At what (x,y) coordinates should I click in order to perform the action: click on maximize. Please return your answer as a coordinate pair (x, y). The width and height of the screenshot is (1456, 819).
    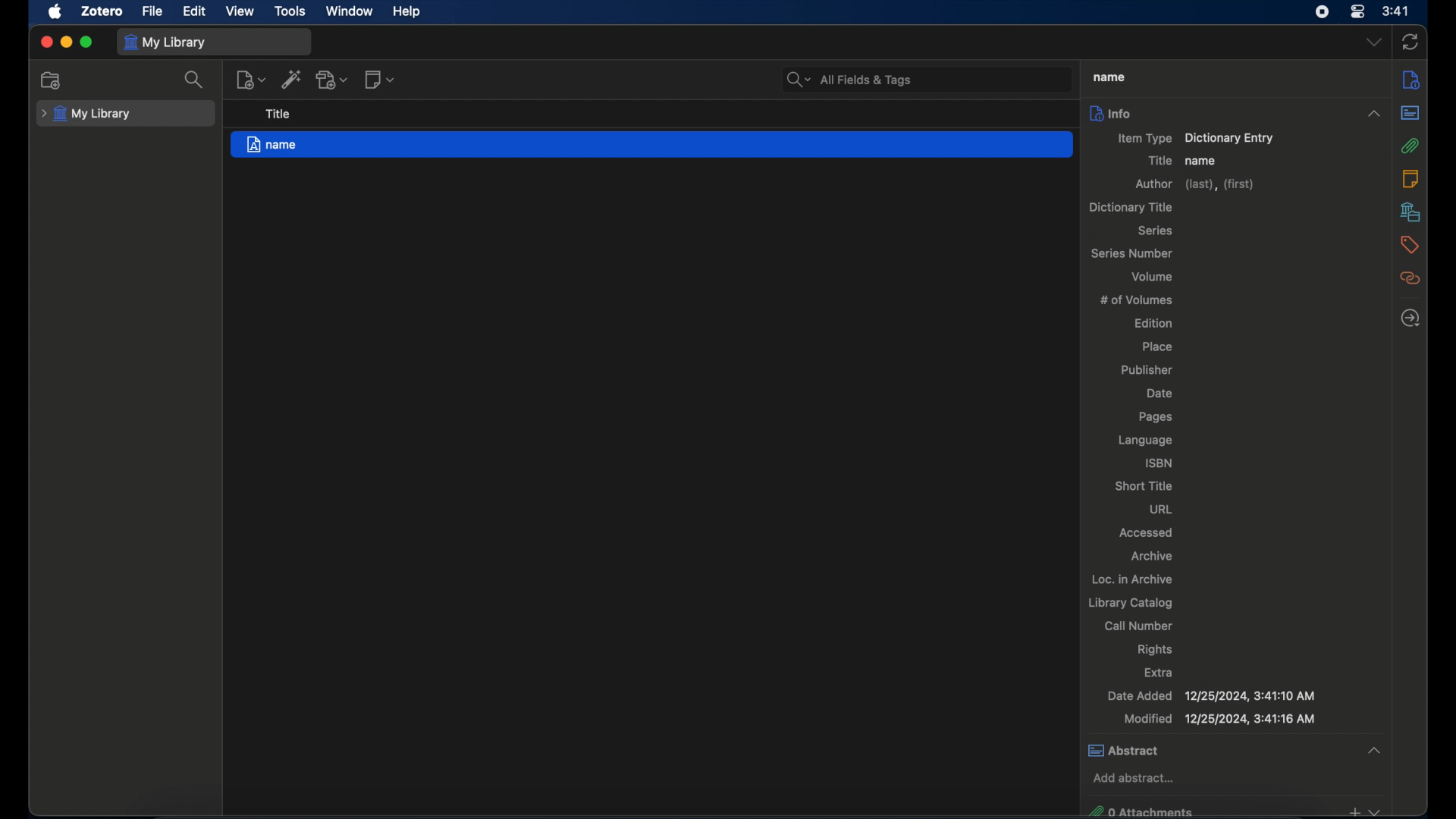
    Looking at the image, I should click on (86, 42).